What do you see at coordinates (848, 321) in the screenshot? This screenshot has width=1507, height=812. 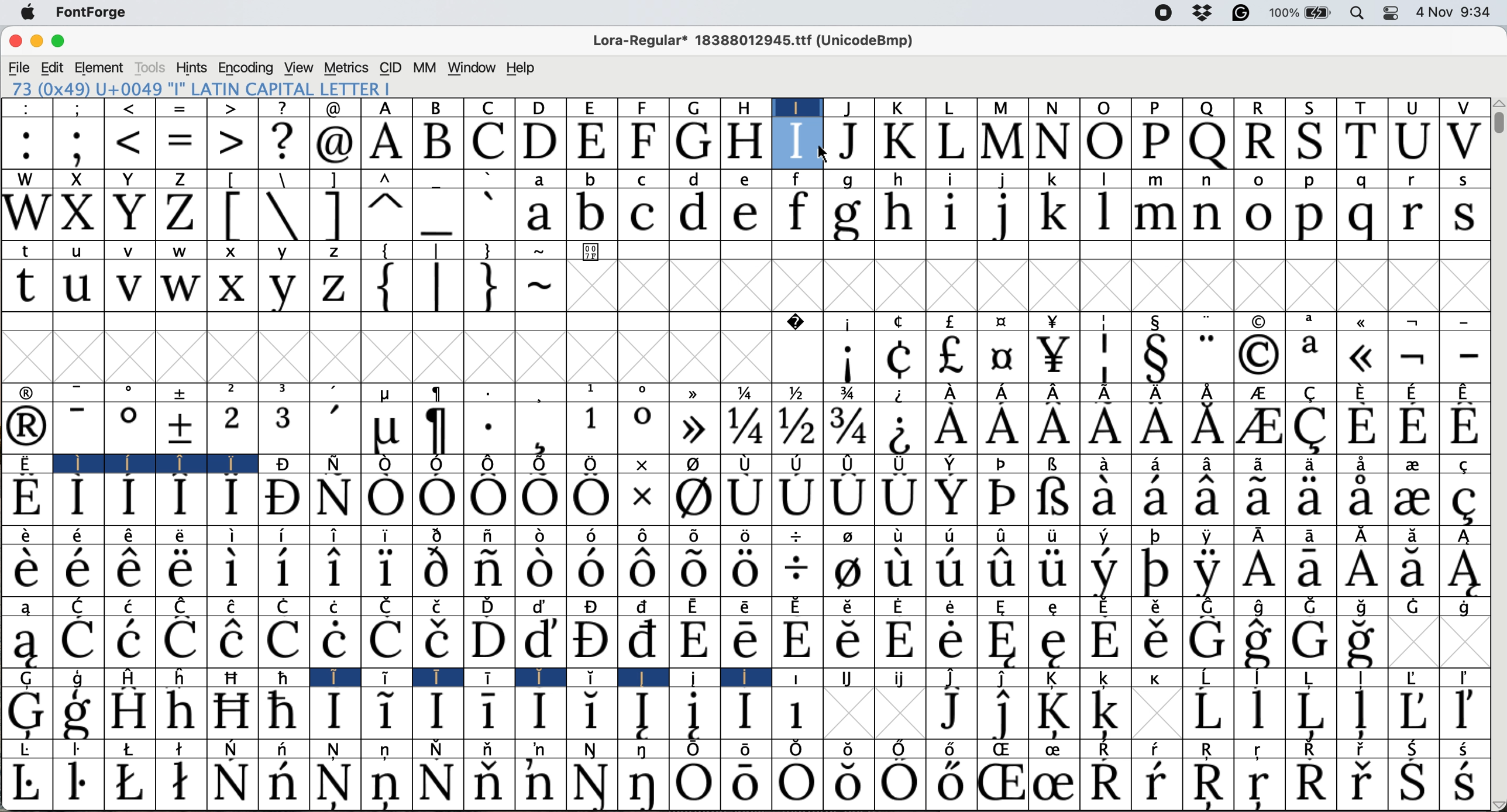 I see `symbol` at bounding box center [848, 321].